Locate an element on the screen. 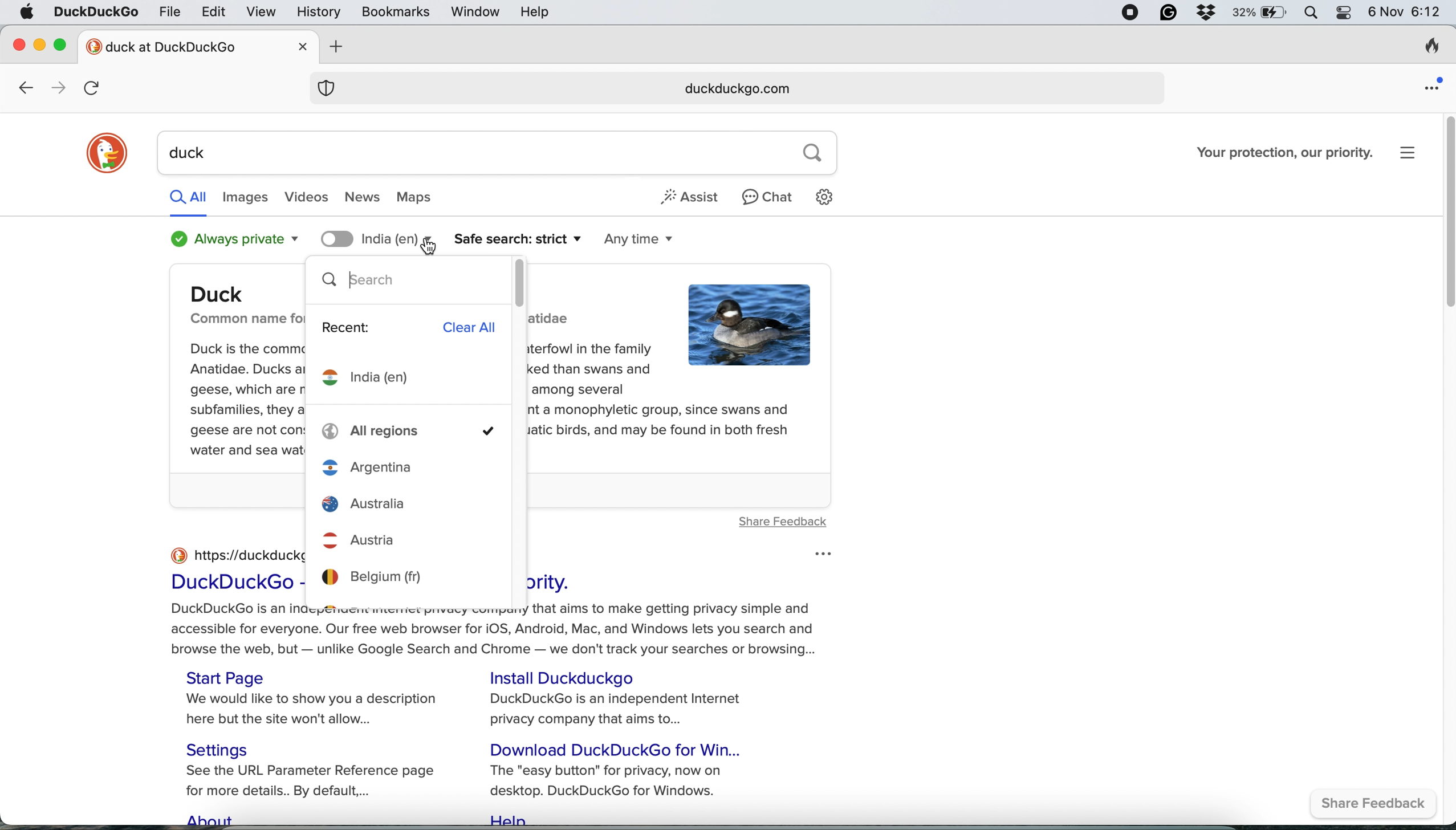 The width and height of the screenshot is (1456, 830). share feedback is located at coordinates (1378, 805).